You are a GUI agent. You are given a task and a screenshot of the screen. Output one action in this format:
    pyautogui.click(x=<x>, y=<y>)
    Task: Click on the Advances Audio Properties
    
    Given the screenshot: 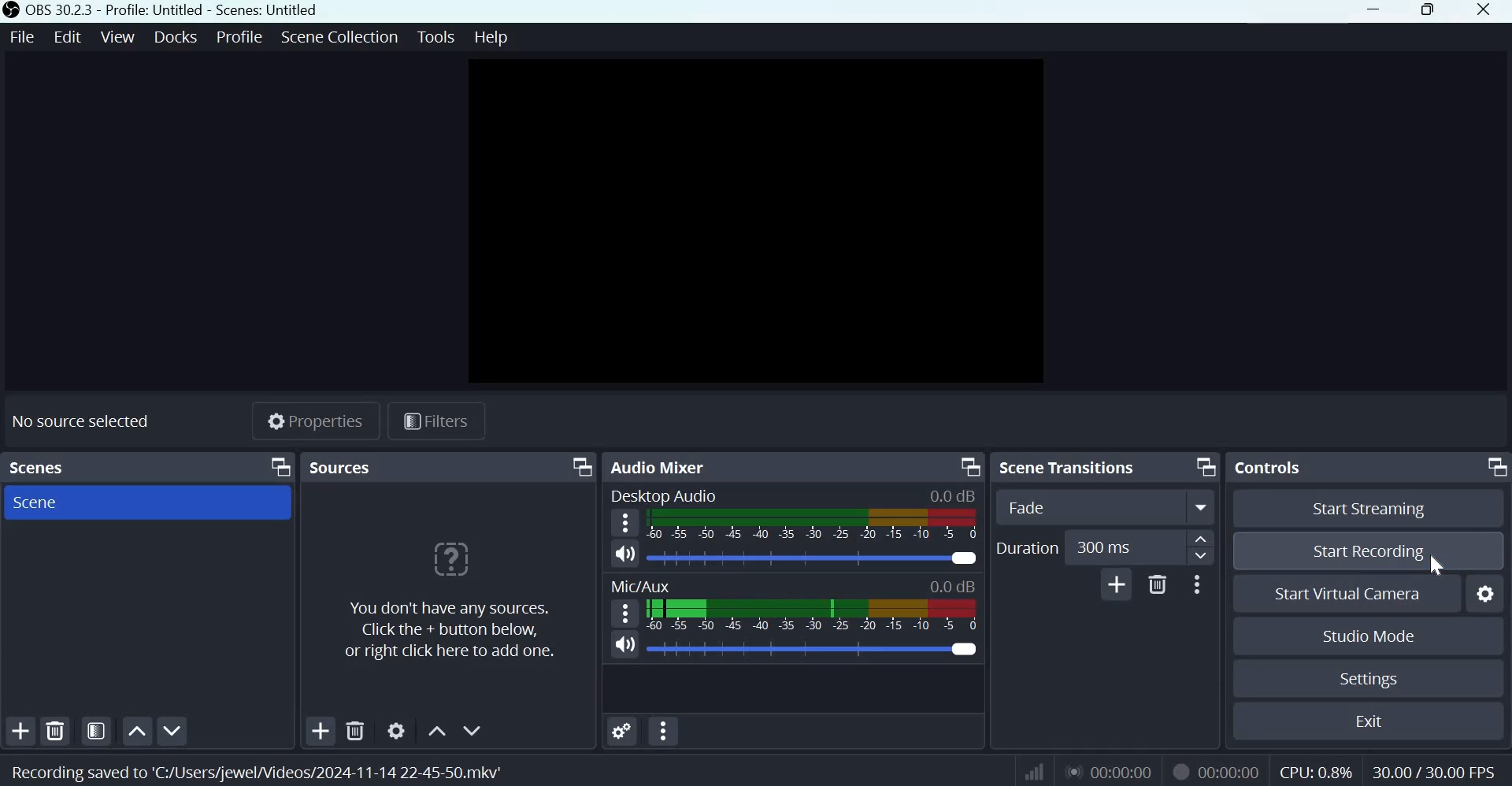 What is the action you would take?
    pyautogui.click(x=621, y=731)
    